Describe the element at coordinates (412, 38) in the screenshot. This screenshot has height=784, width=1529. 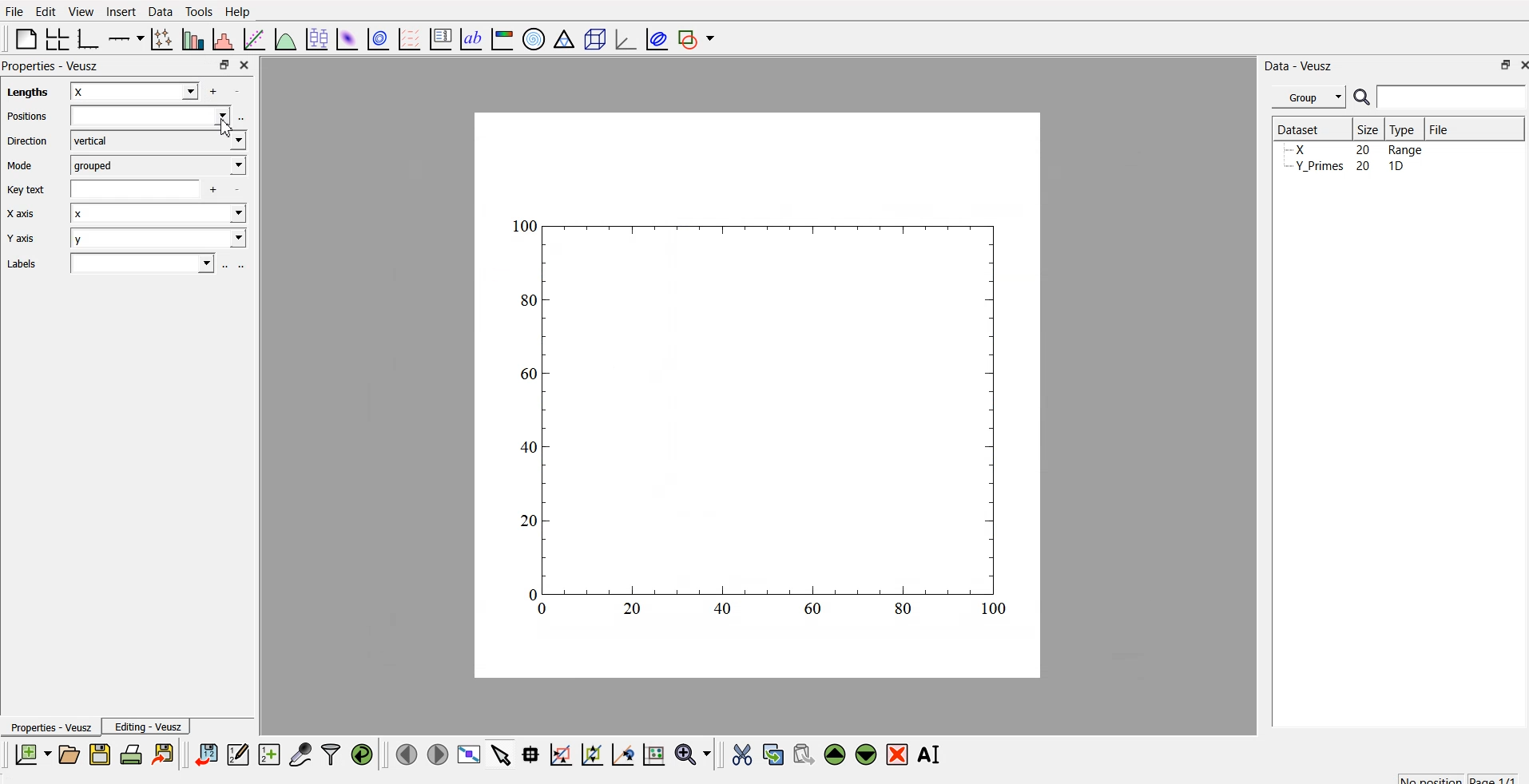
I see `plot a vector field` at that location.